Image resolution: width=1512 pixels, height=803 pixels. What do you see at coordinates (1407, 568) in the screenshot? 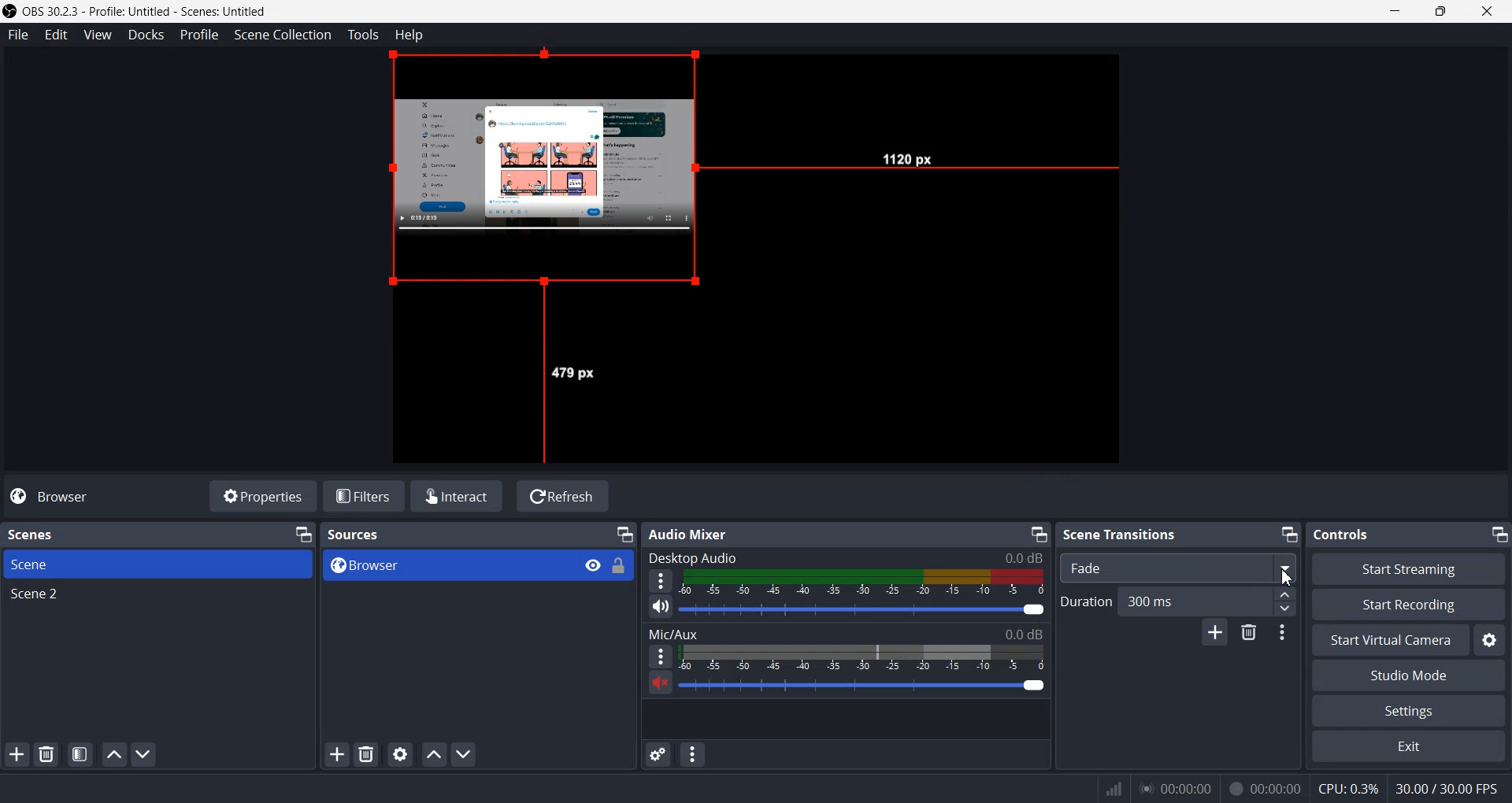
I see `Start Streaming` at bounding box center [1407, 568].